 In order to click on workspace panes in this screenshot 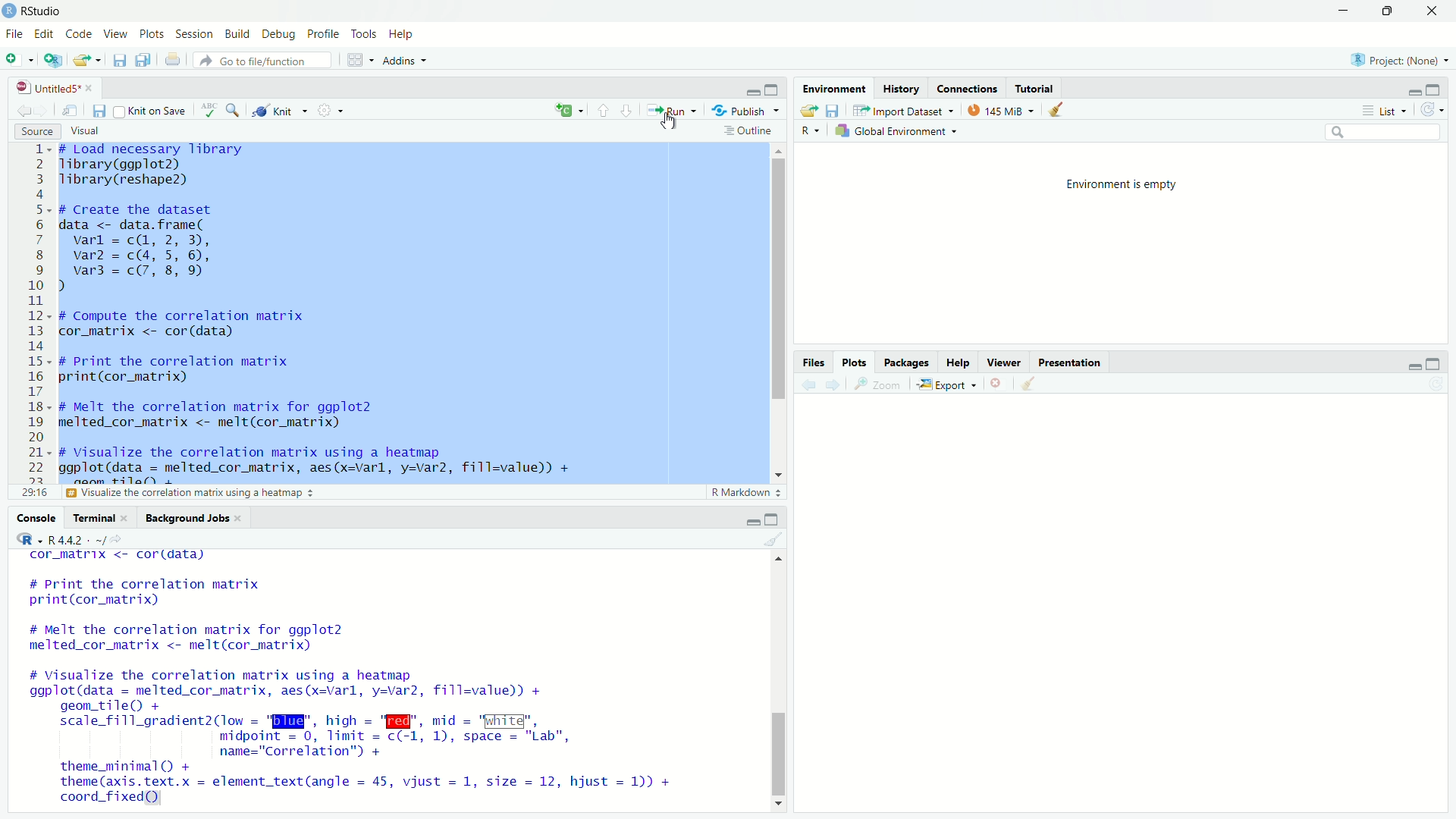, I will do `click(356, 60)`.